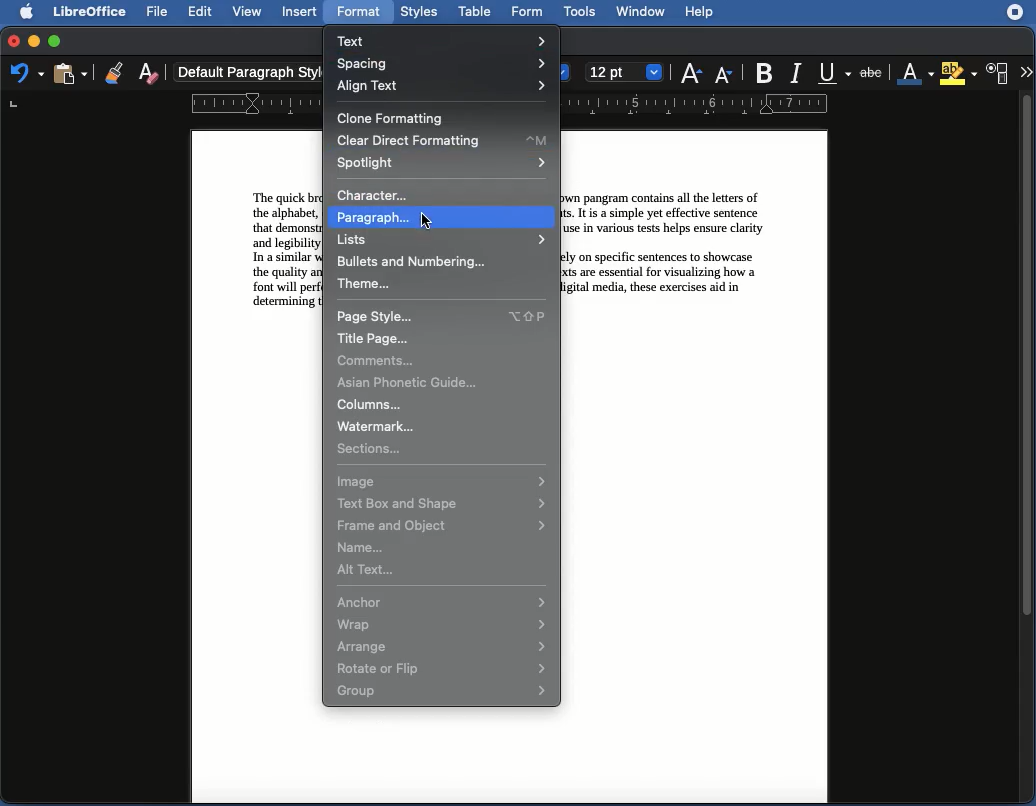 This screenshot has width=1036, height=806. I want to click on LibreOffice, so click(87, 13).